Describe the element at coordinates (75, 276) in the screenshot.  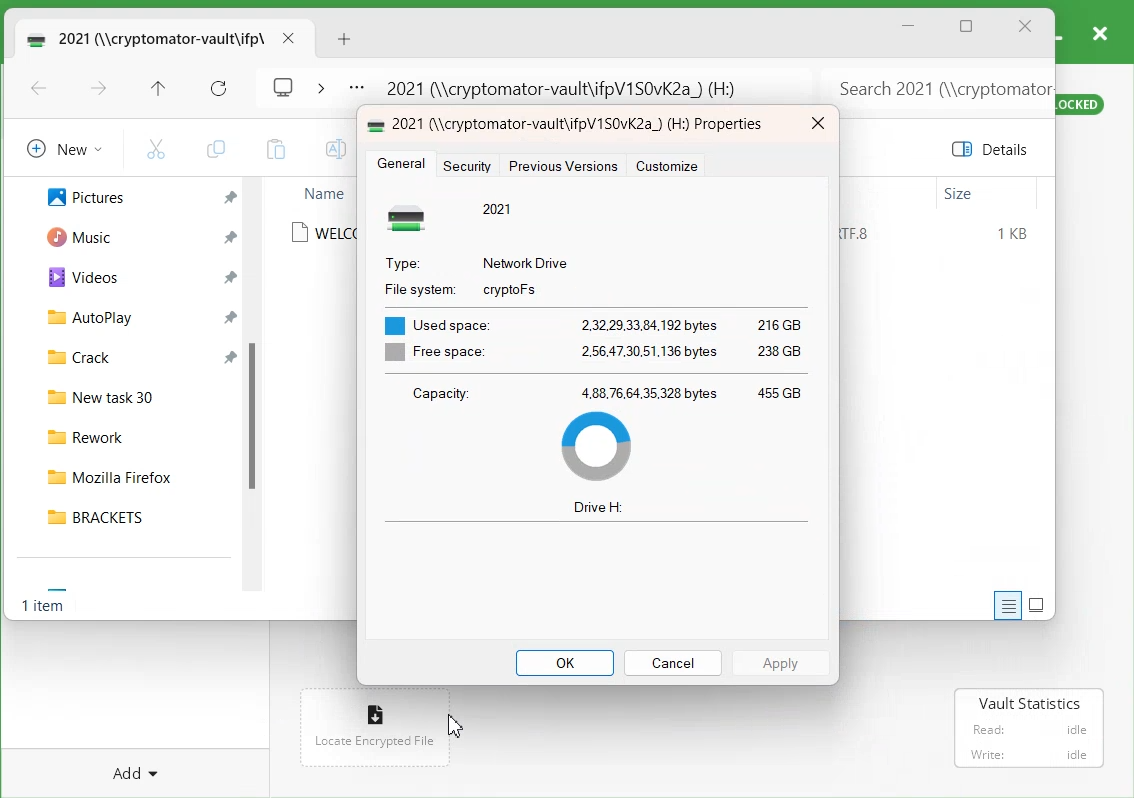
I see `Videos` at that location.